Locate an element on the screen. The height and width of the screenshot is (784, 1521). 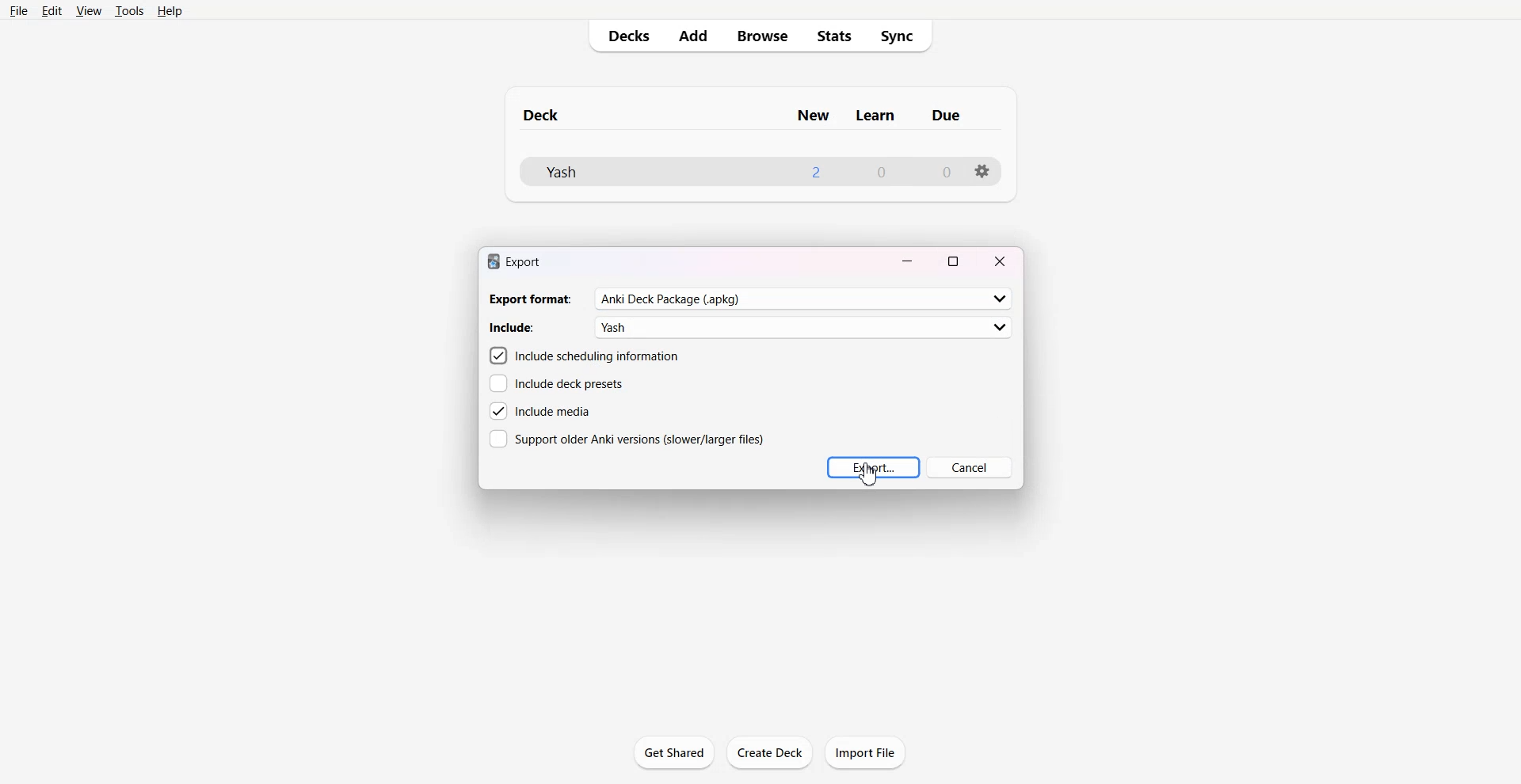
Export format: anki deck package (.apkg) is located at coordinates (749, 299).